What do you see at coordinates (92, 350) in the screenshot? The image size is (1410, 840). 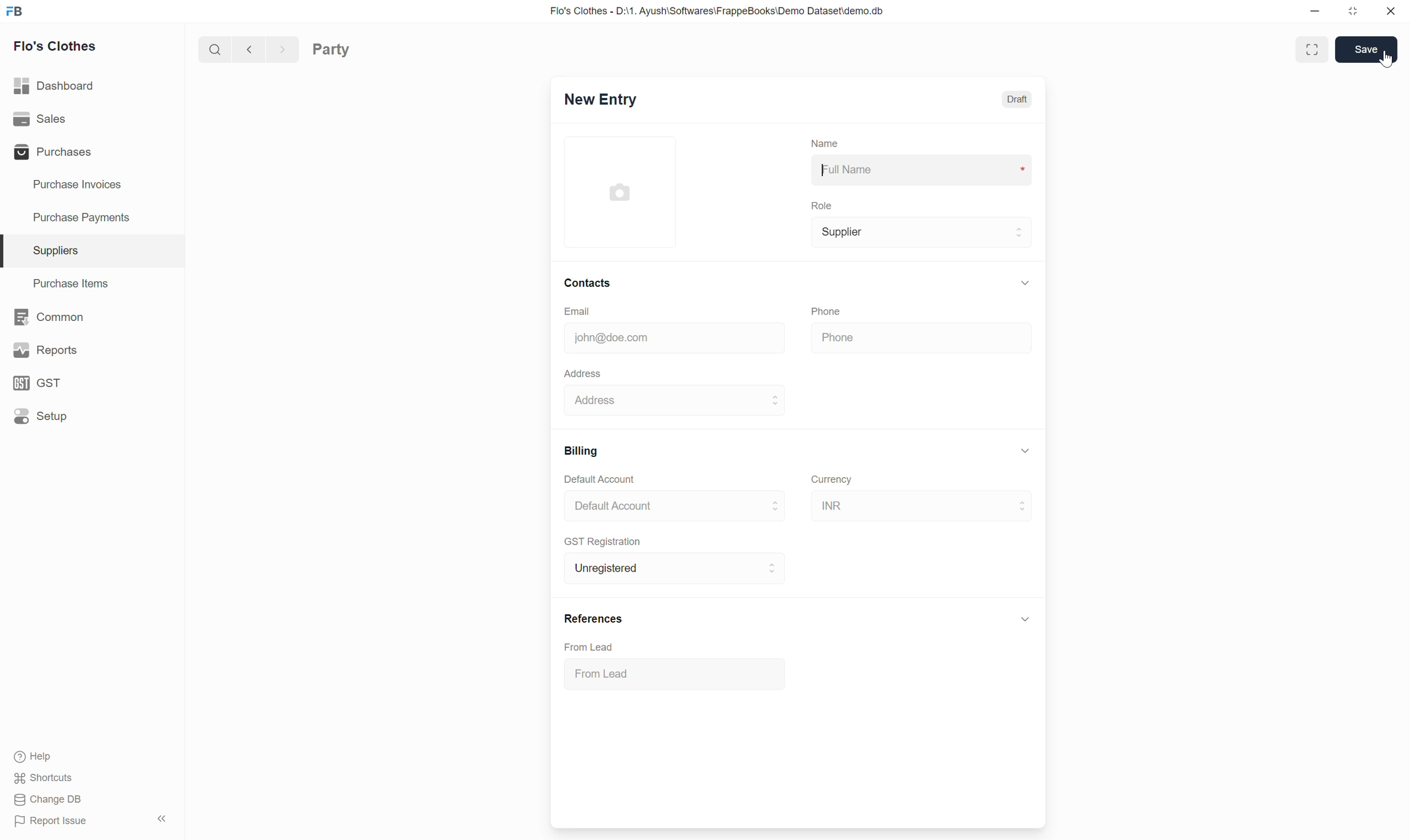 I see `Reports` at bounding box center [92, 350].